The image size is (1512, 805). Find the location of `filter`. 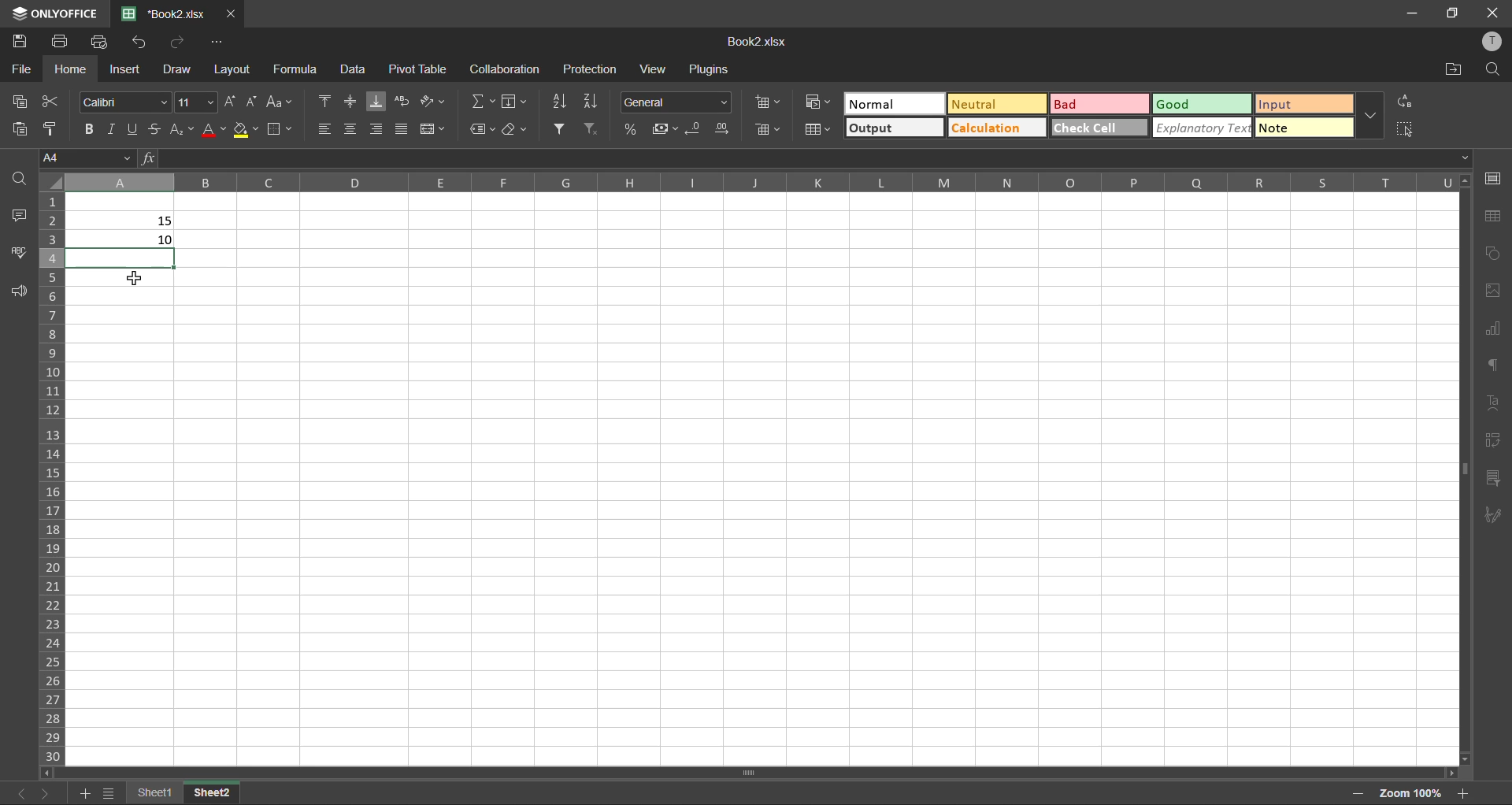

filter is located at coordinates (561, 128).